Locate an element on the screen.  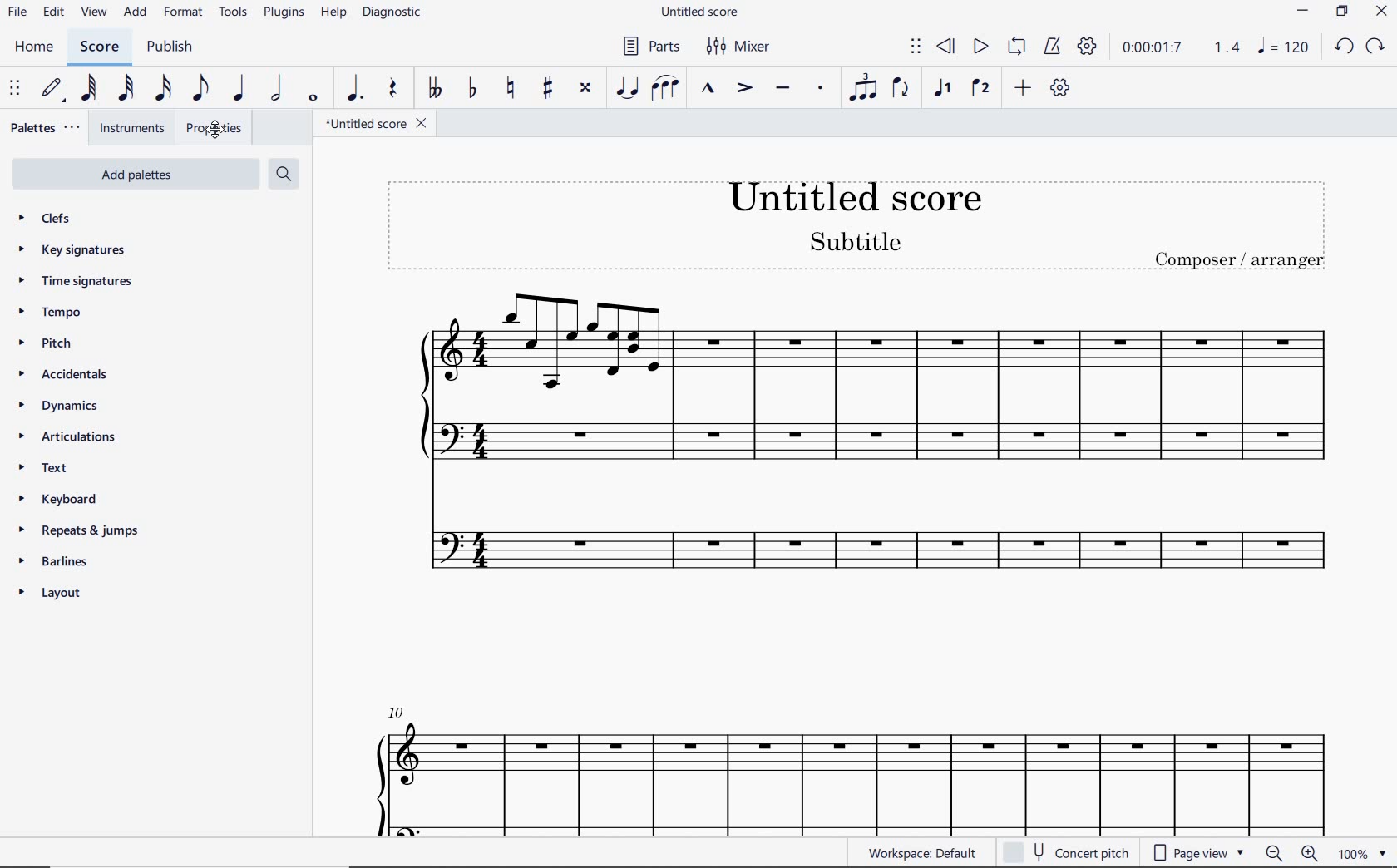
SELECT TO MOVE is located at coordinates (916, 47).